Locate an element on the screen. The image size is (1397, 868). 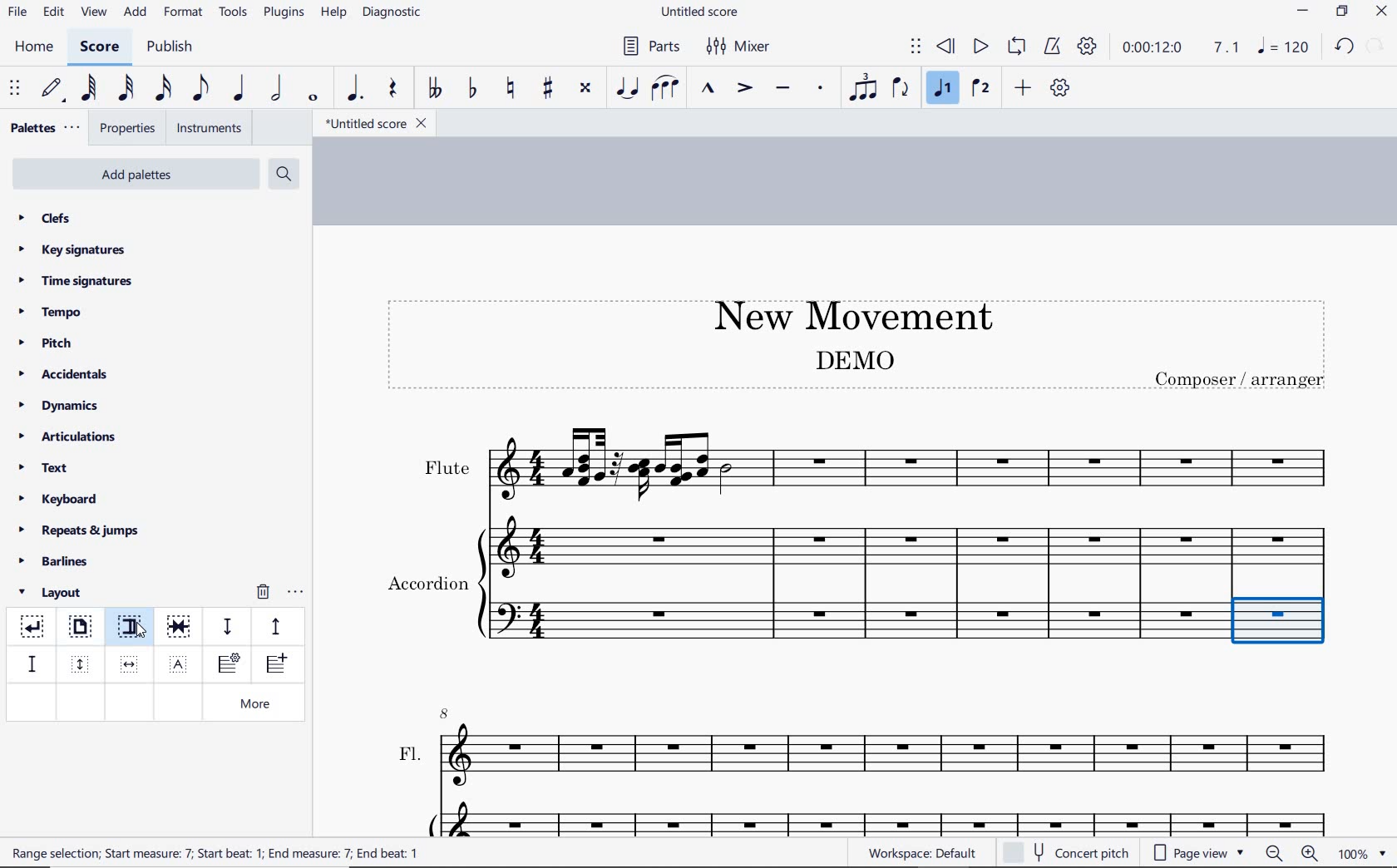
workspace: default is located at coordinates (920, 852).